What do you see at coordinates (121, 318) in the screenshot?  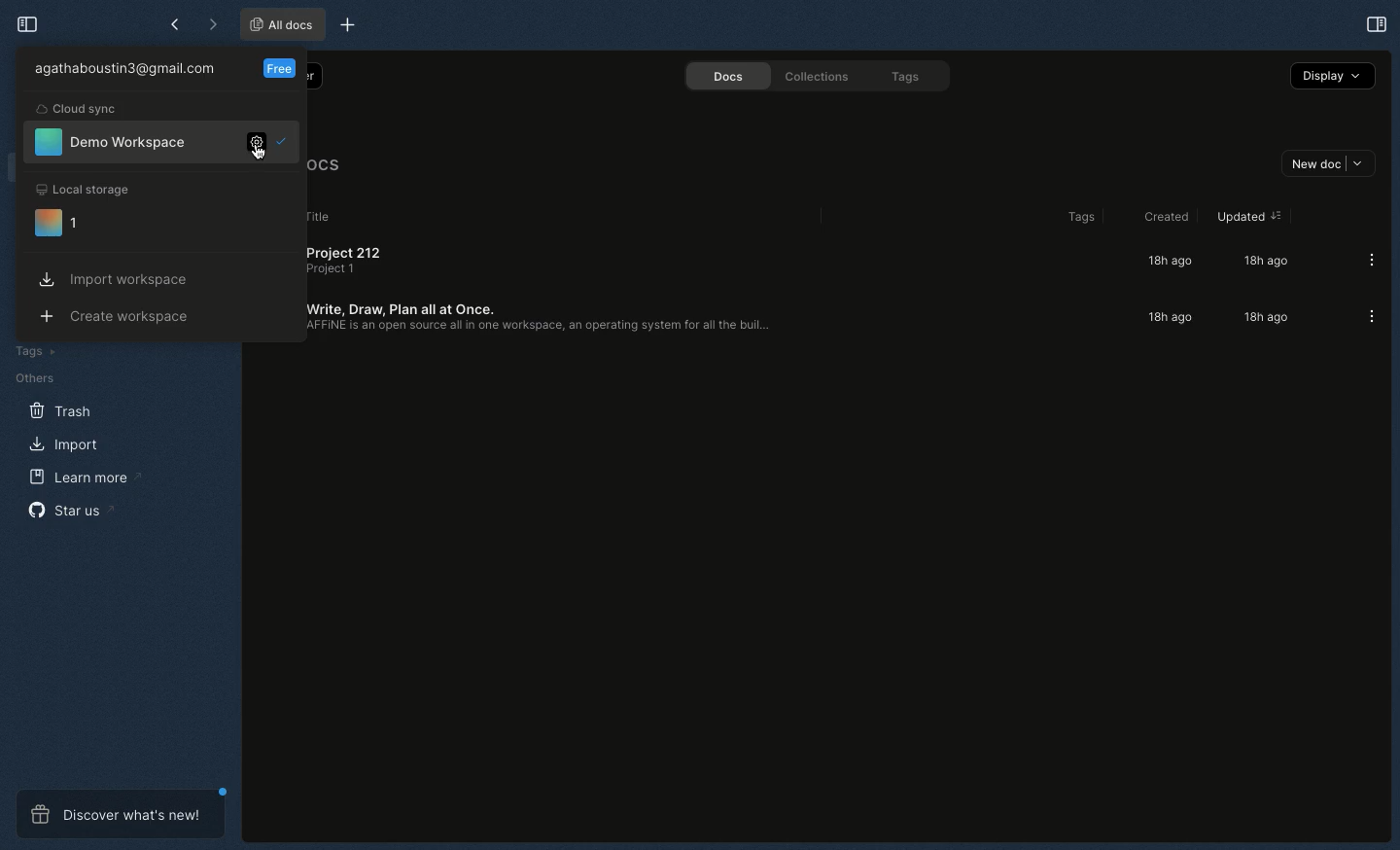 I see `Create workspace` at bounding box center [121, 318].